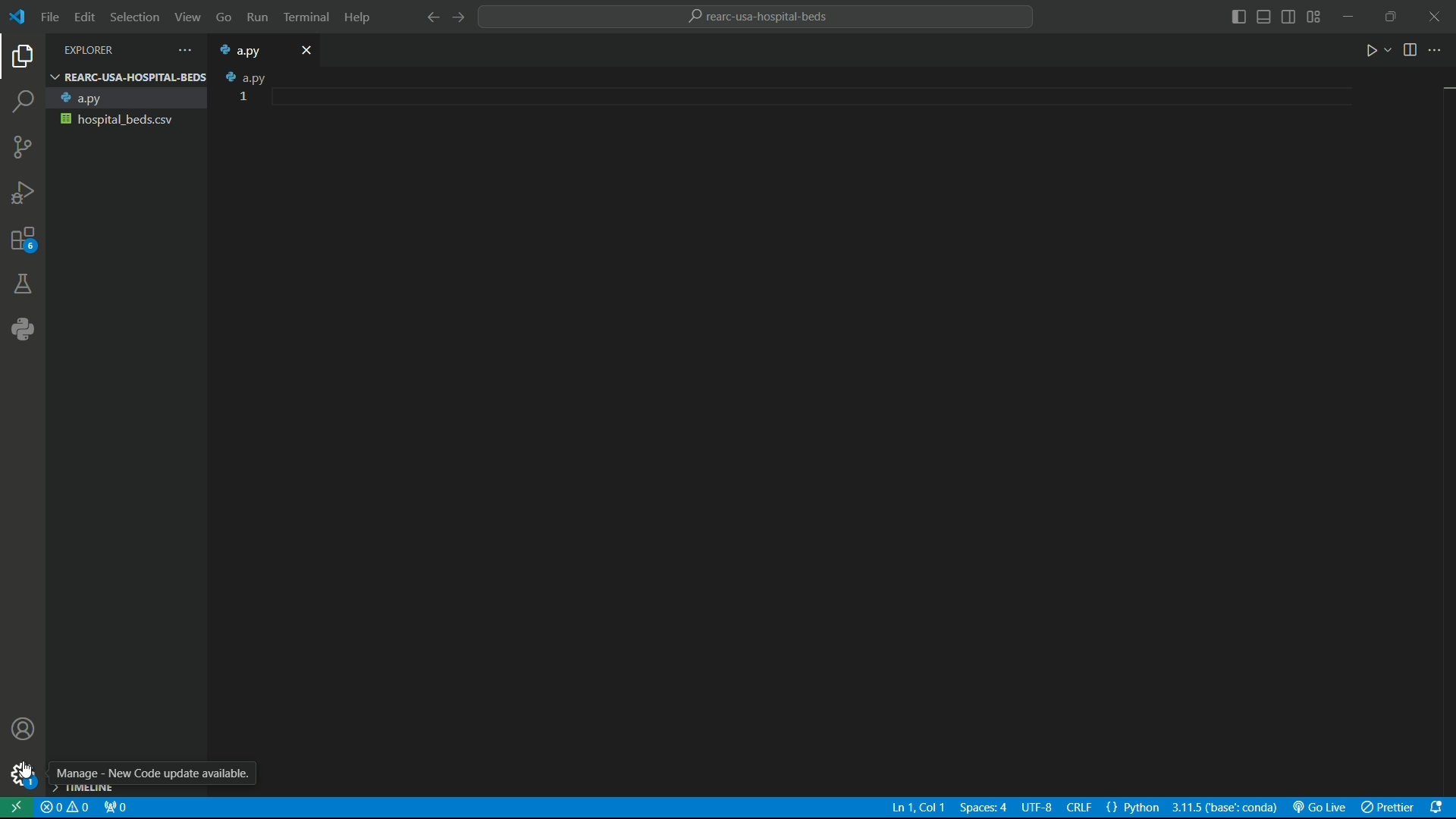 The height and width of the screenshot is (819, 1456). Describe the element at coordinates (127, 77) in the screenshot. I see `REARC-USA-HOSPITAL-BEDS` at that location.